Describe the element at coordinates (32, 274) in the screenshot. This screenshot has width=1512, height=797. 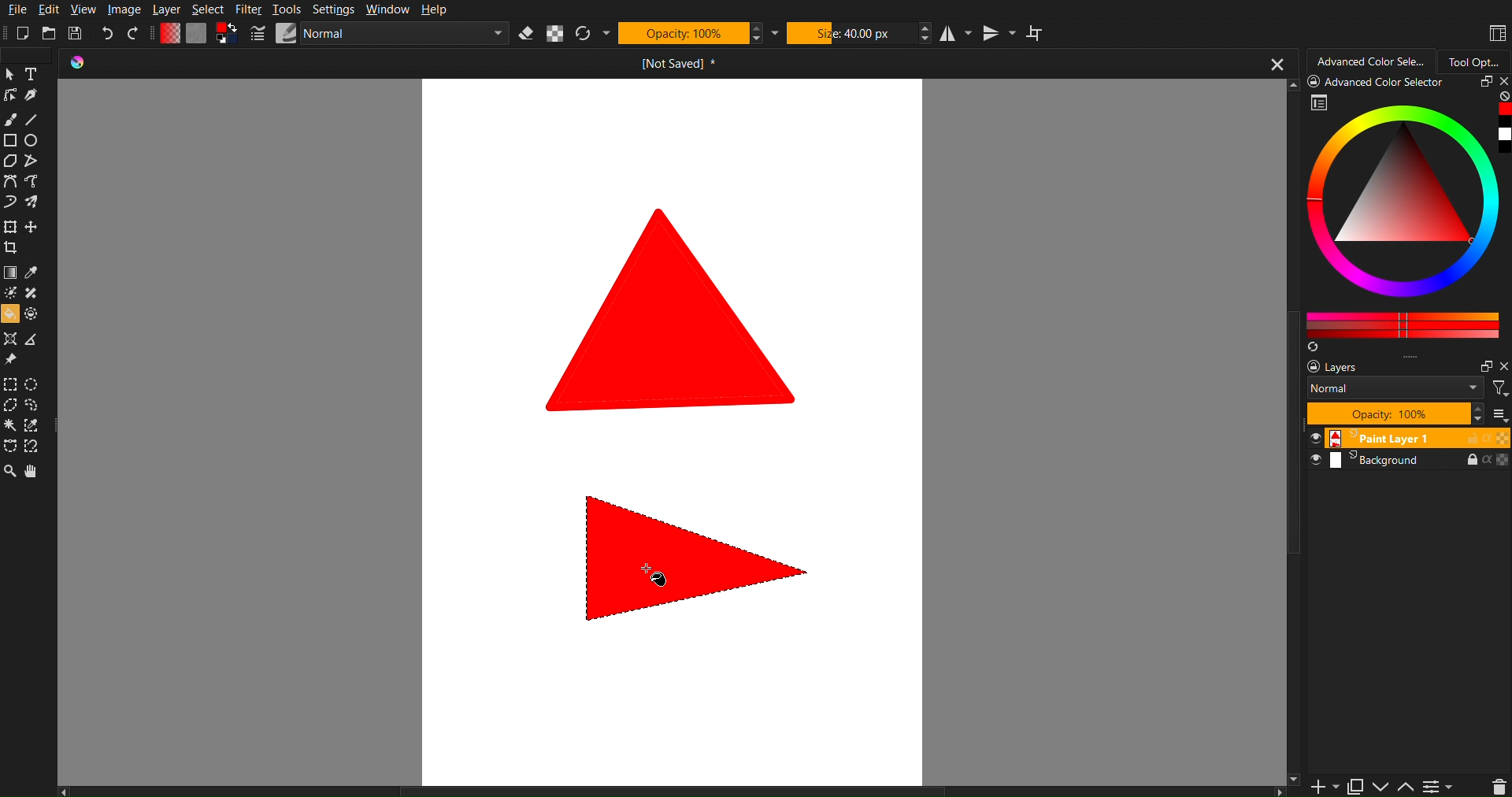
I see `Dropper` at that location.